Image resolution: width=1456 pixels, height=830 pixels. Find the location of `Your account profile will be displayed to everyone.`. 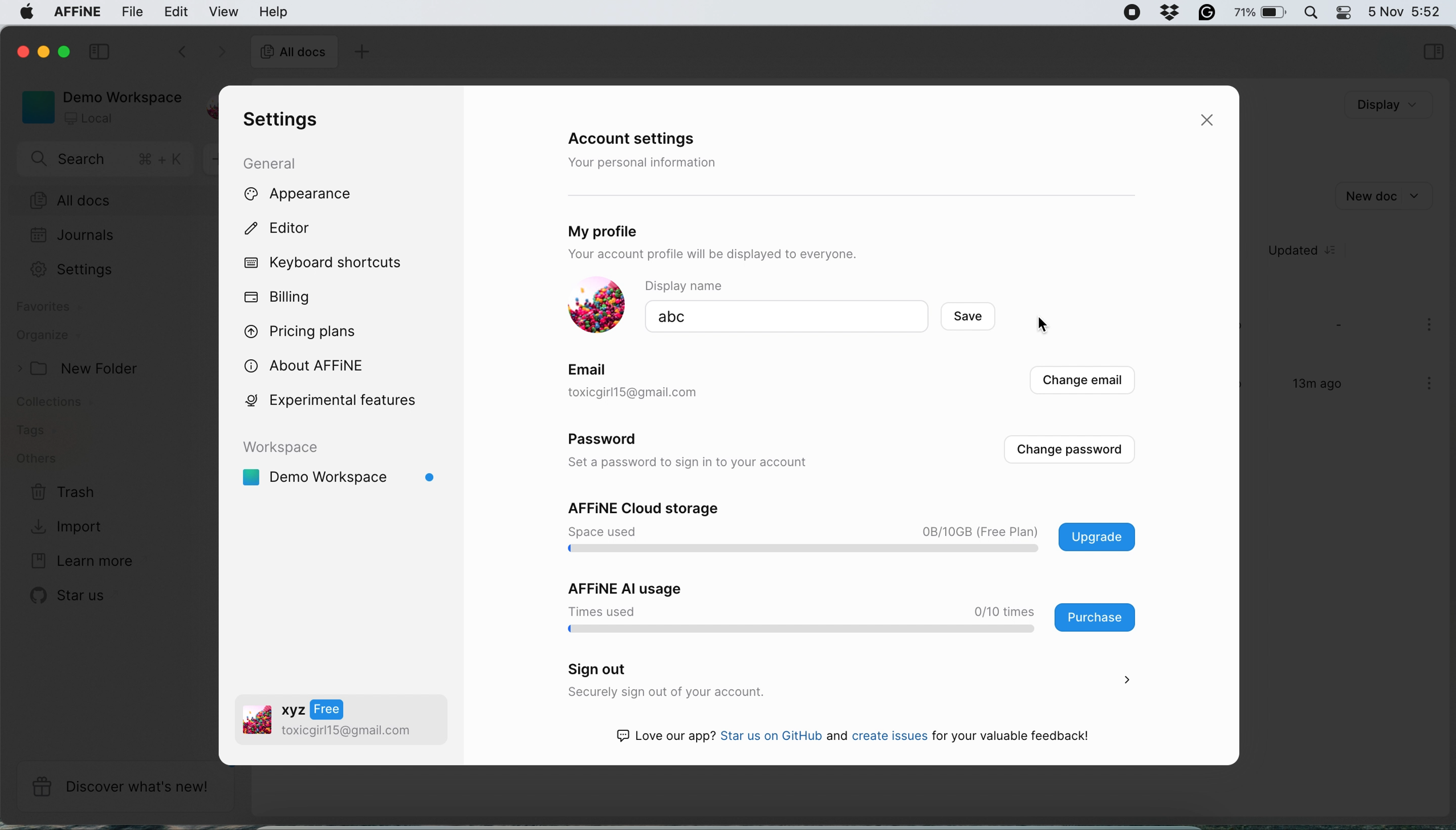

Your account profile will be displayed to everyone. is located at coordinates (758, 255).